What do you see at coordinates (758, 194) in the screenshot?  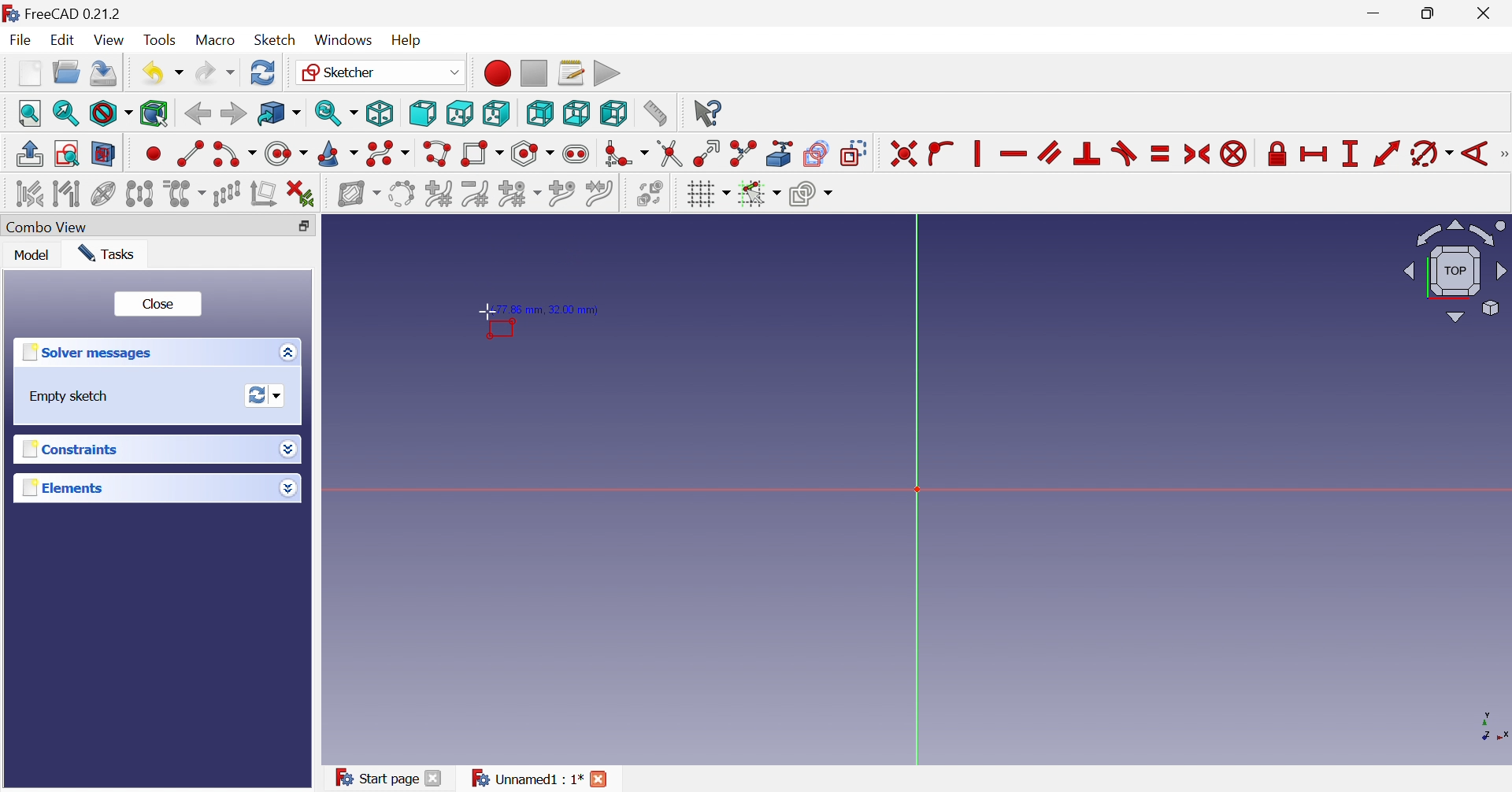 I see `Toggle snap` at bounding box center [758, 194].